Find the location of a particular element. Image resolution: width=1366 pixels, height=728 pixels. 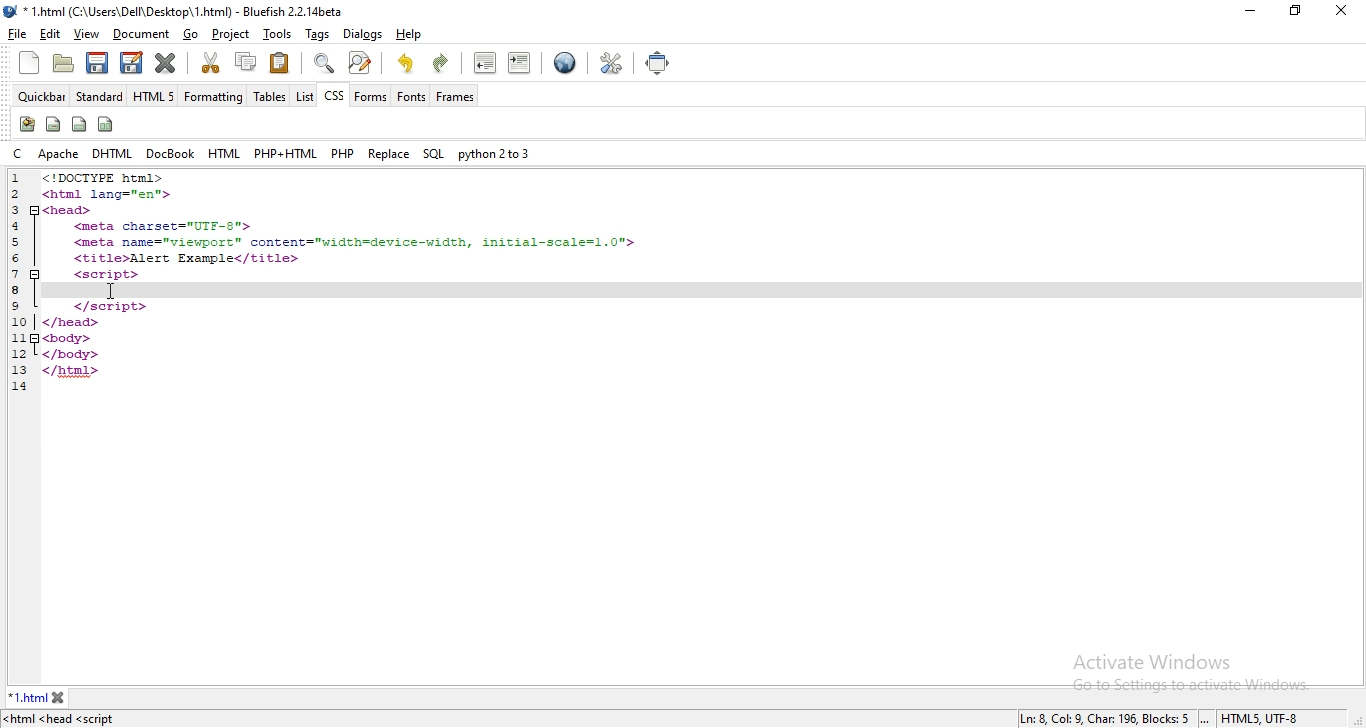

python 2 to 3 is located at coordinates (492, 152).